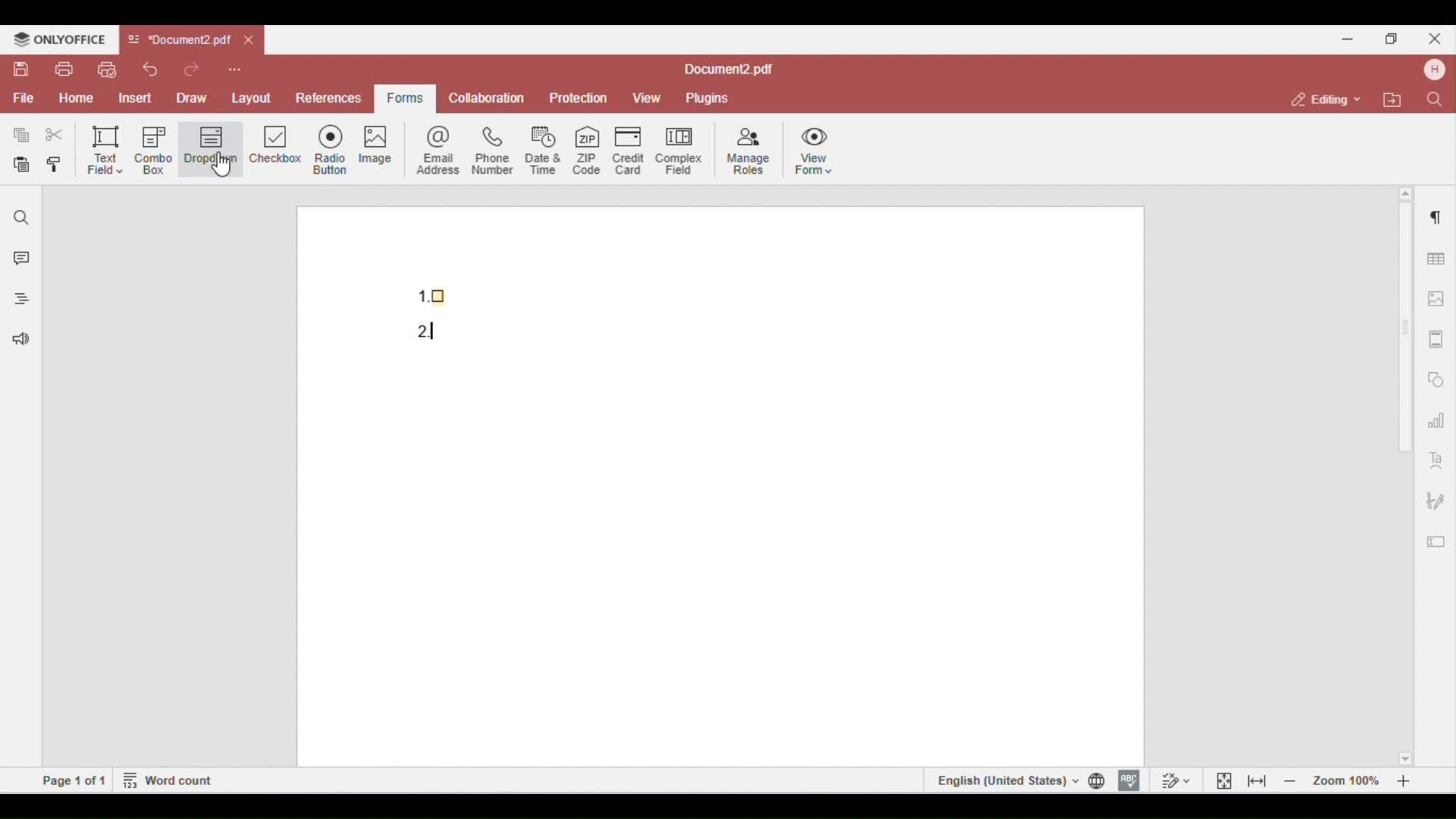  Describe the element at coordinates (587, 148) in the screenshot. I see `zip code` at that location.